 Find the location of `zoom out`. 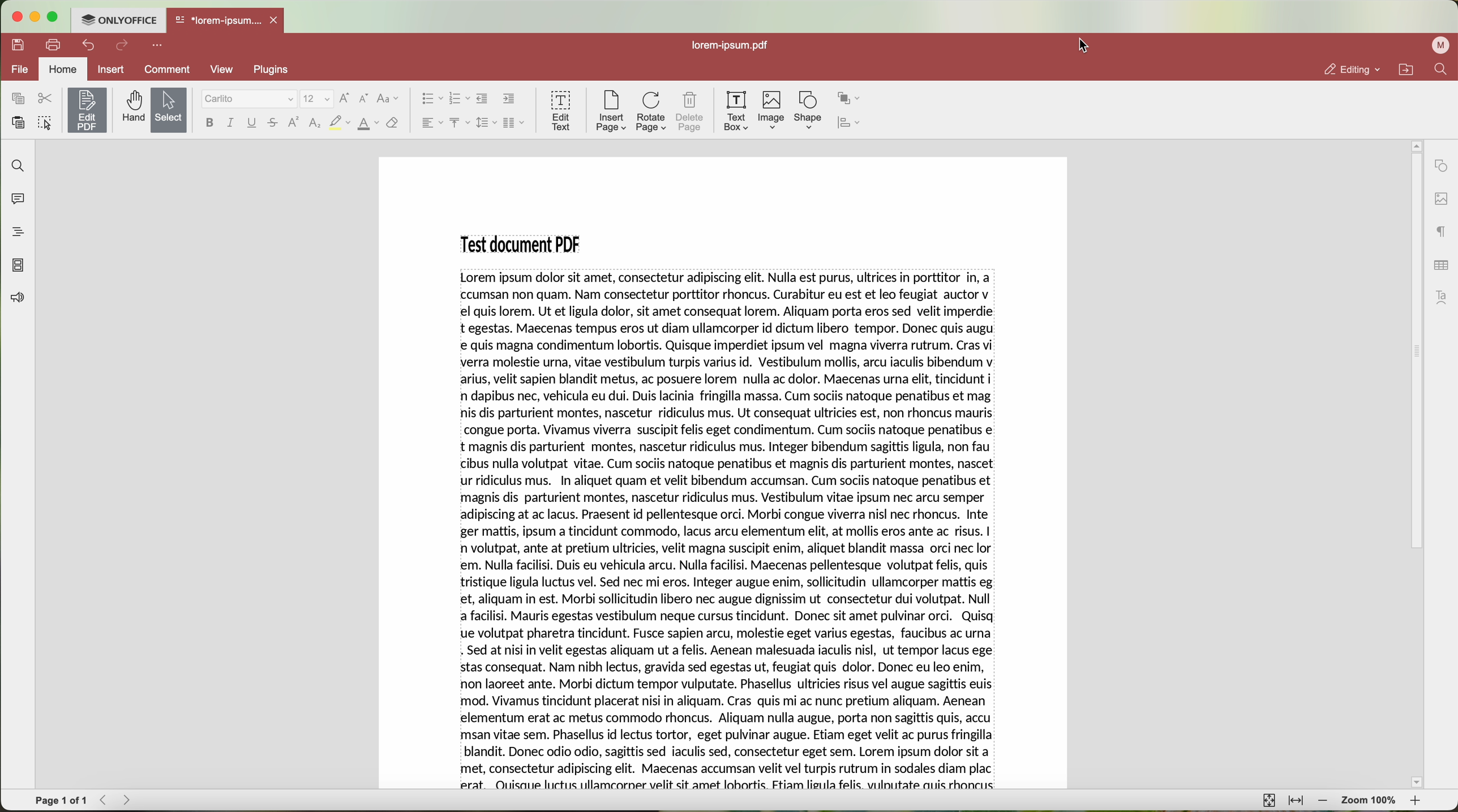

zoom out is located at coordinates (1323, 801).